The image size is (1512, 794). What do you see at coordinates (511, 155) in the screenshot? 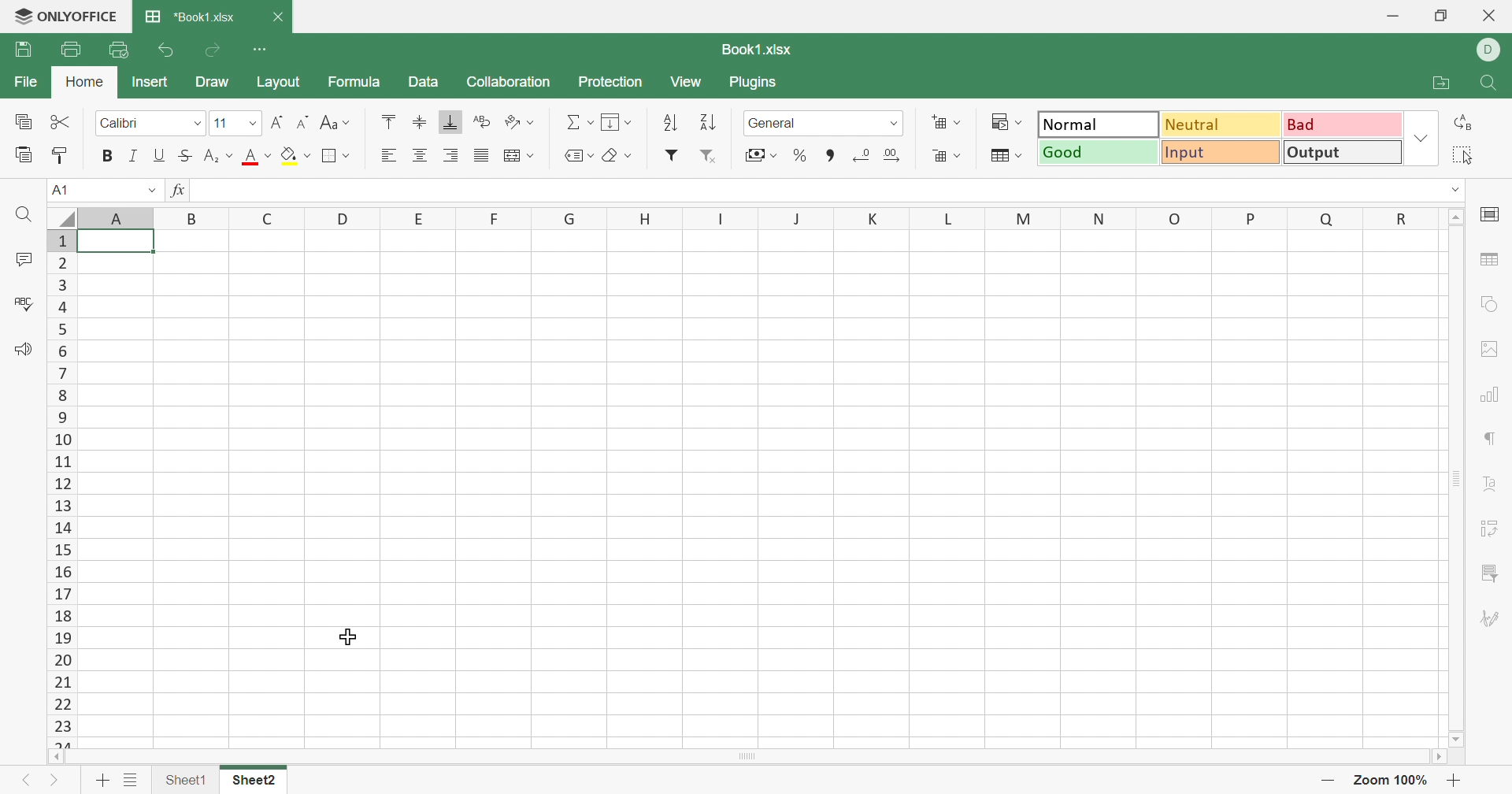
I see `Merge and Center` at bounding box center [511, 155].